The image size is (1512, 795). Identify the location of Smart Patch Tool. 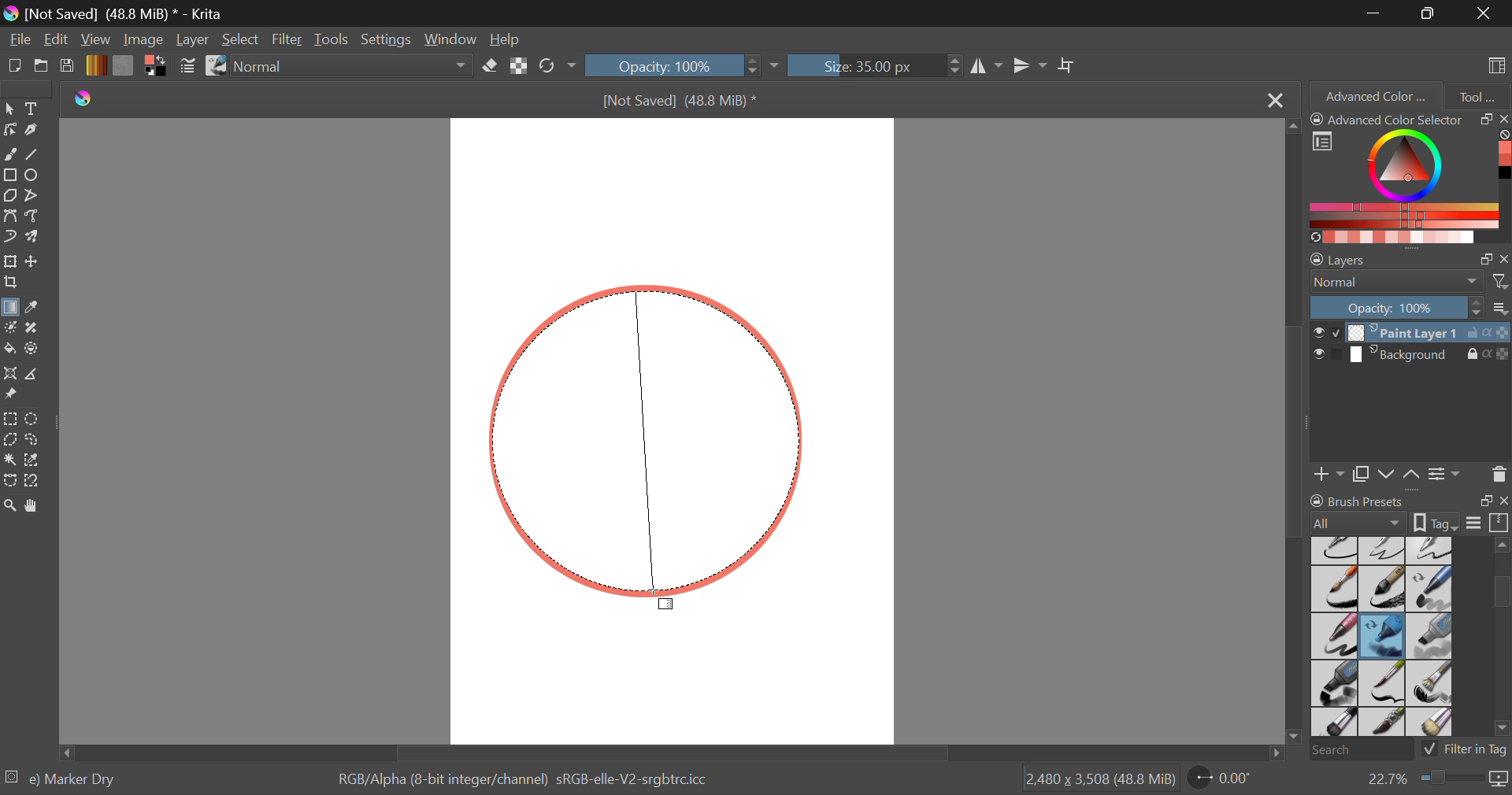
(35, 329).